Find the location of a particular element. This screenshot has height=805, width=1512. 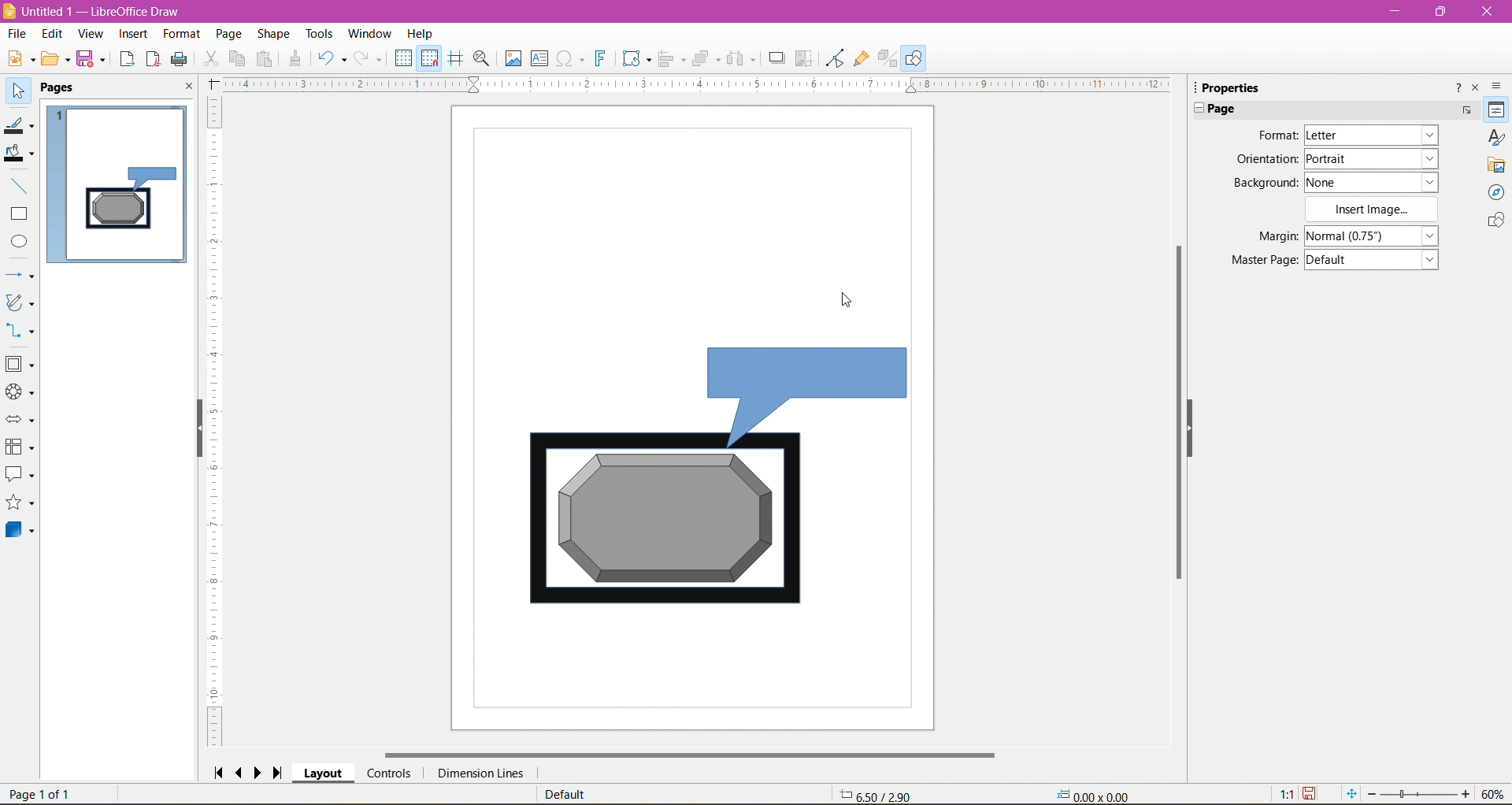

Rectangle is located at coordinates (20, 214).